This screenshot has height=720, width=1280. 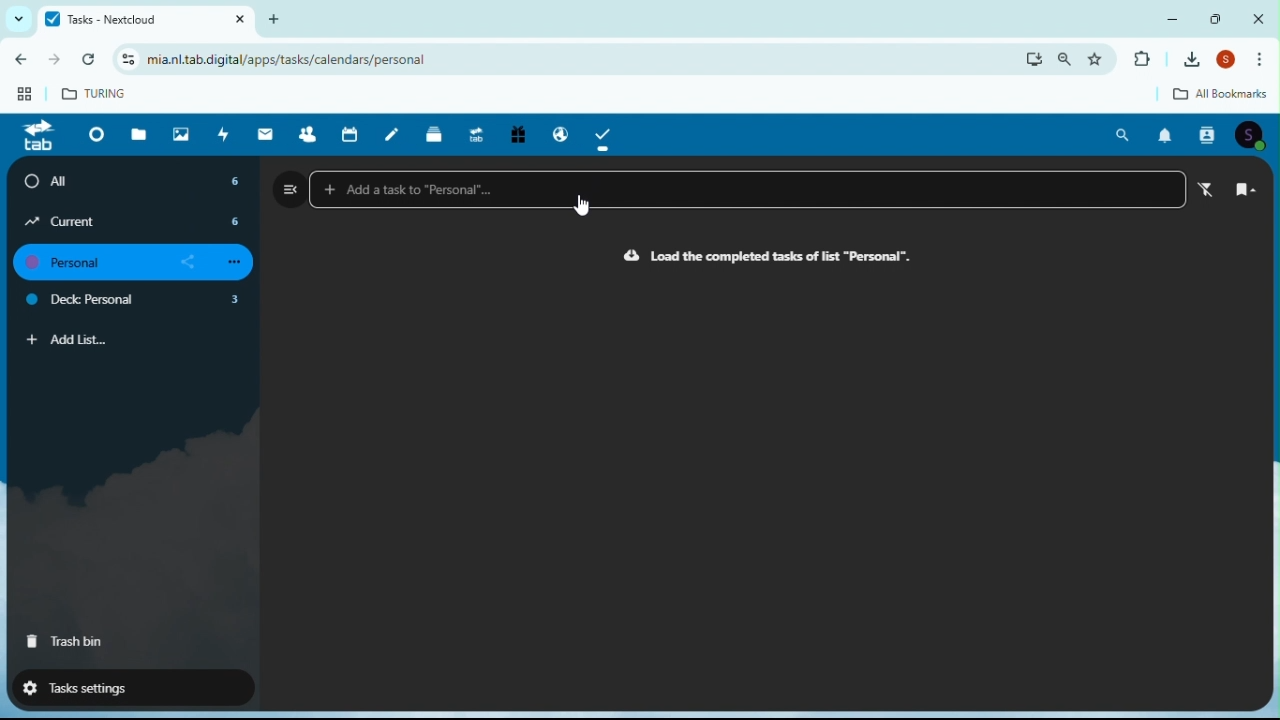 I want to click on add, so click(x=281, y=18).